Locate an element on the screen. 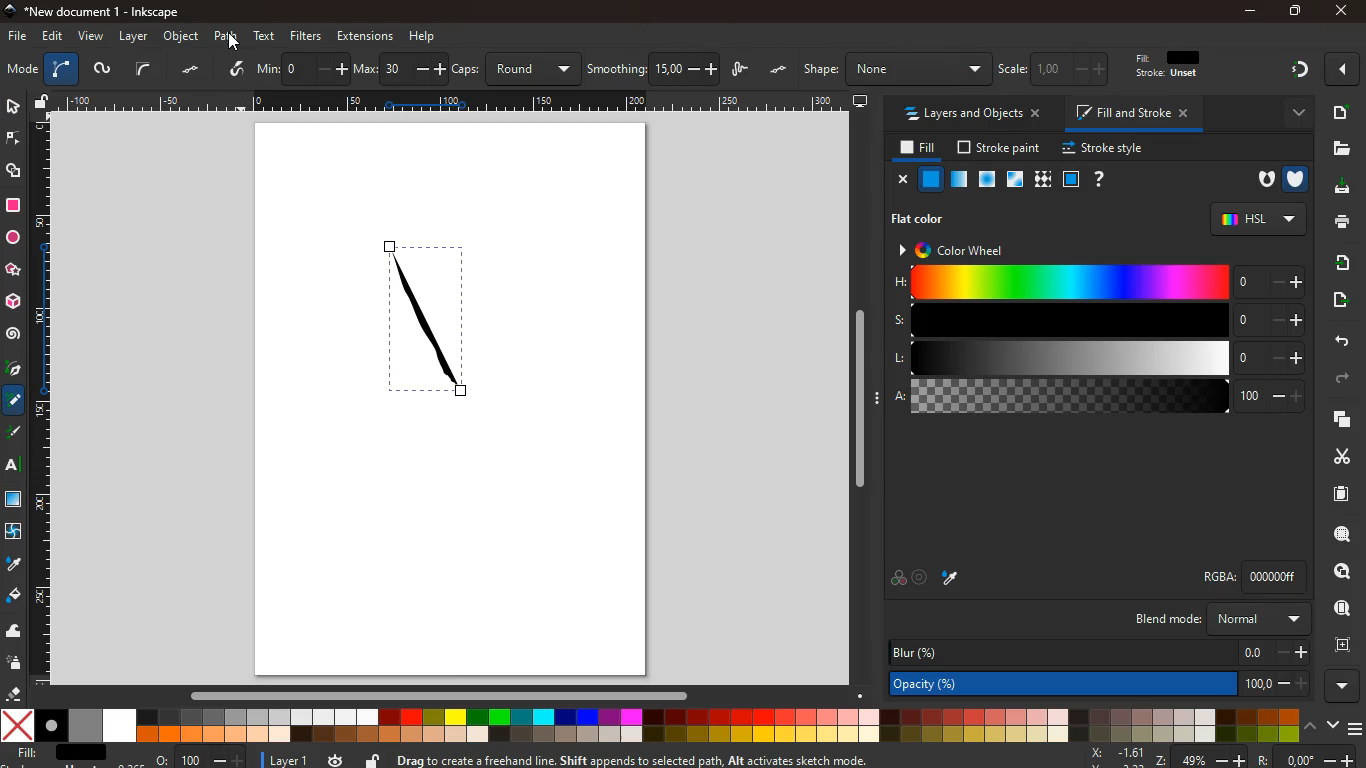  s is located at coordinates (1098, 320).